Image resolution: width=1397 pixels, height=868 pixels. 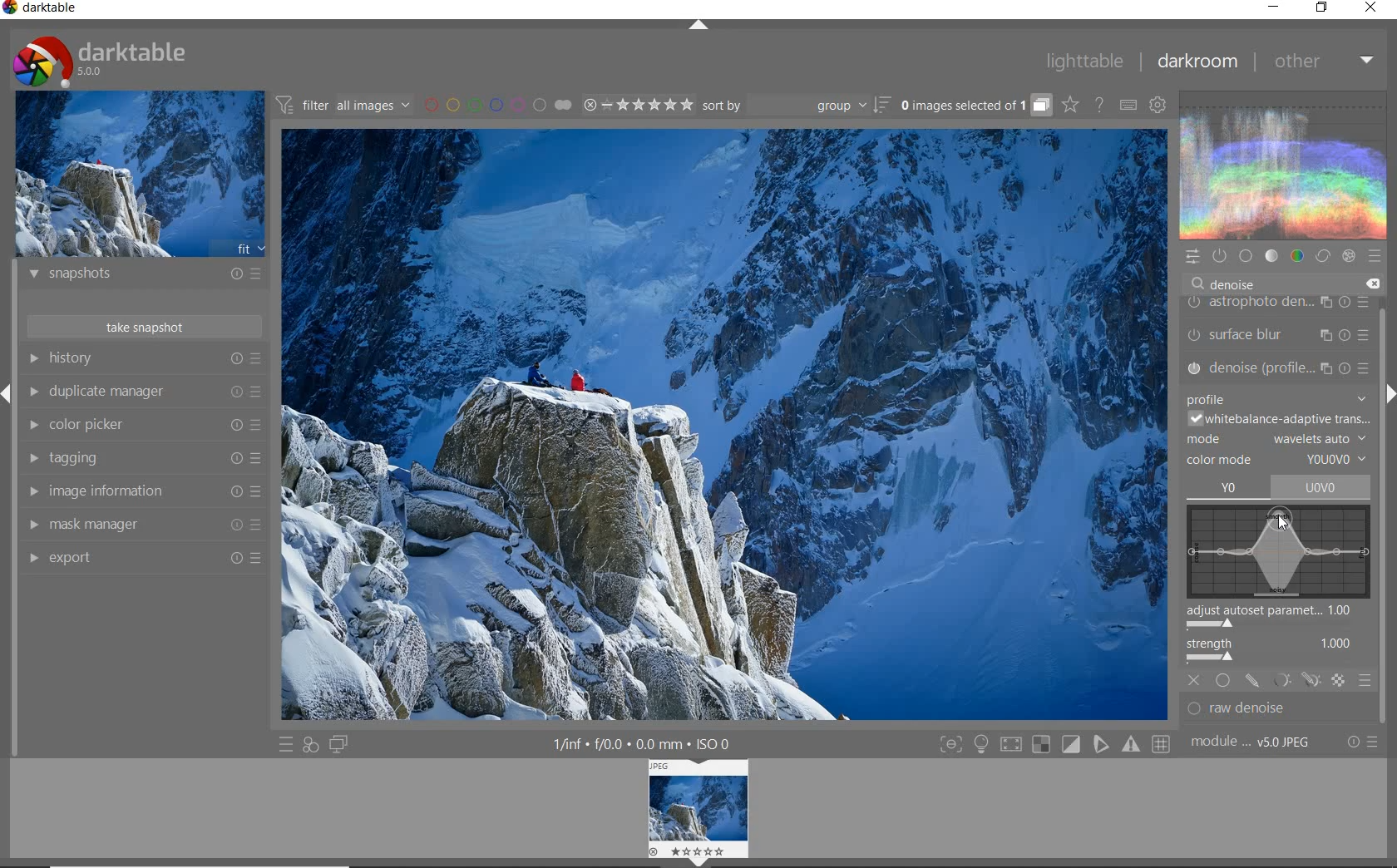 What do you see at coordinates (147, 326) in the screenshot?
I see `take snapshot` at bounding box center [147, 326].